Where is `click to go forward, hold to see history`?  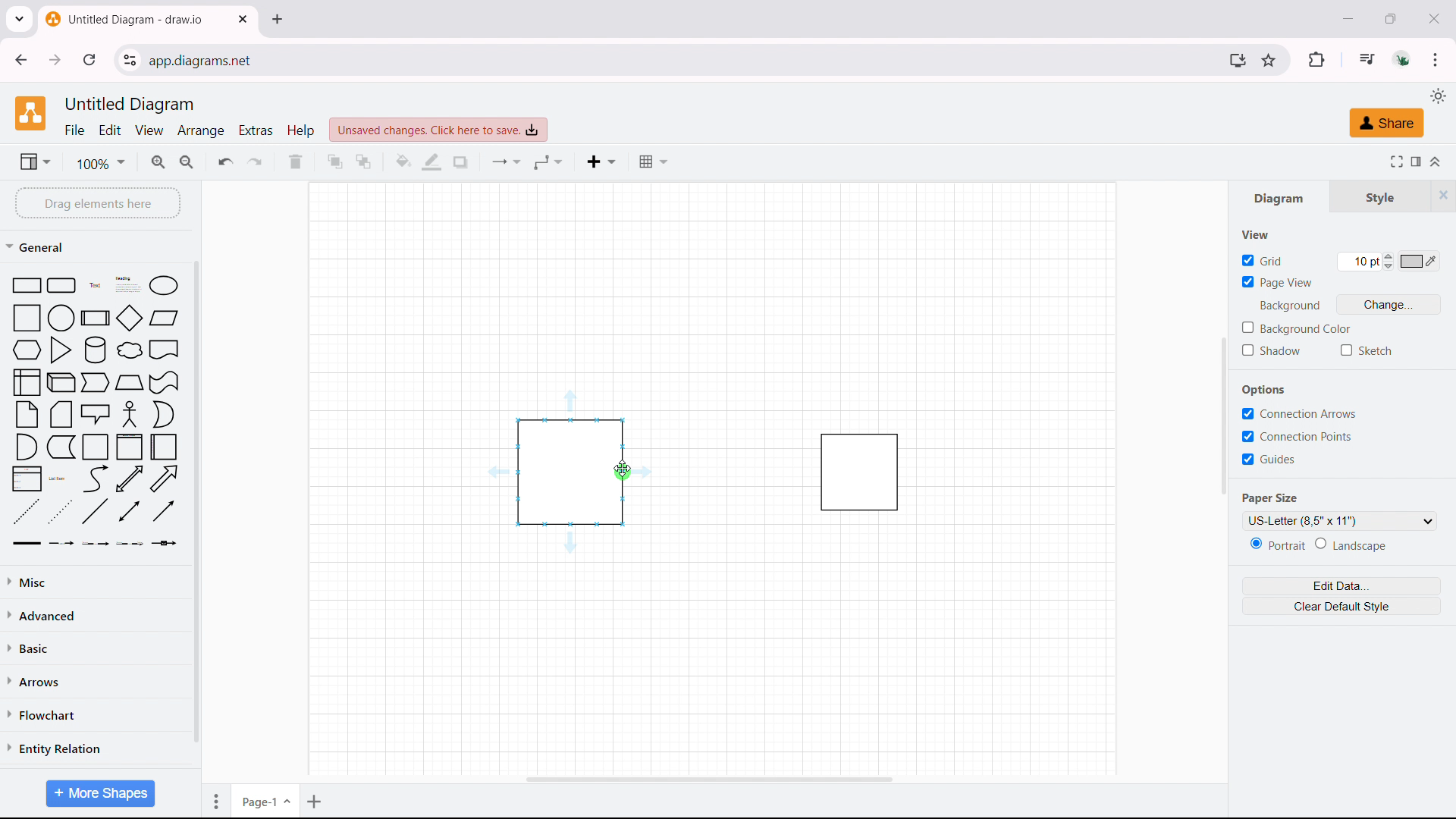
click to go forward, hold to see history is located at coordinates (55, 60).